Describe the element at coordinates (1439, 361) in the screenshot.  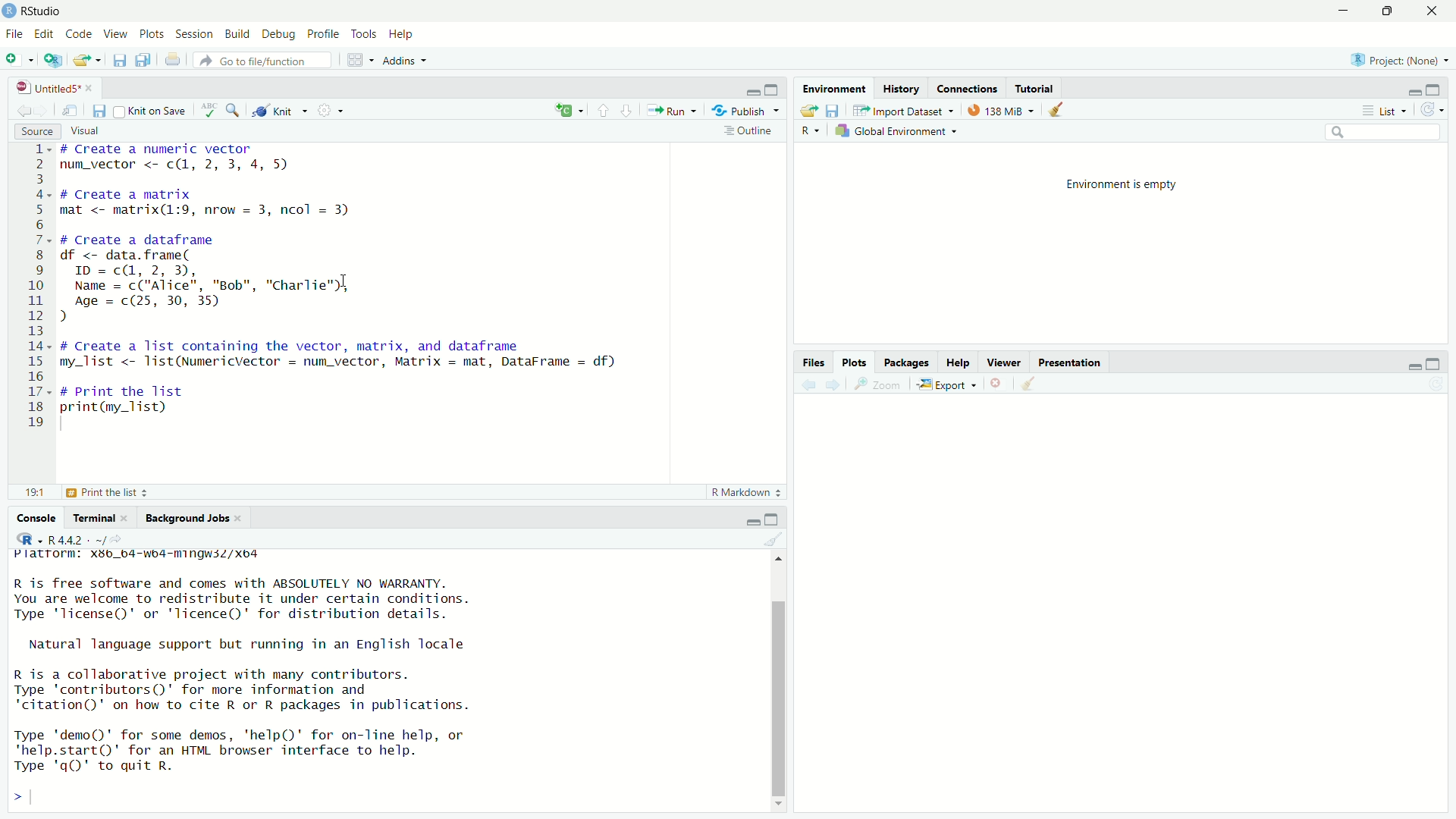
I see `maximise` at that location.